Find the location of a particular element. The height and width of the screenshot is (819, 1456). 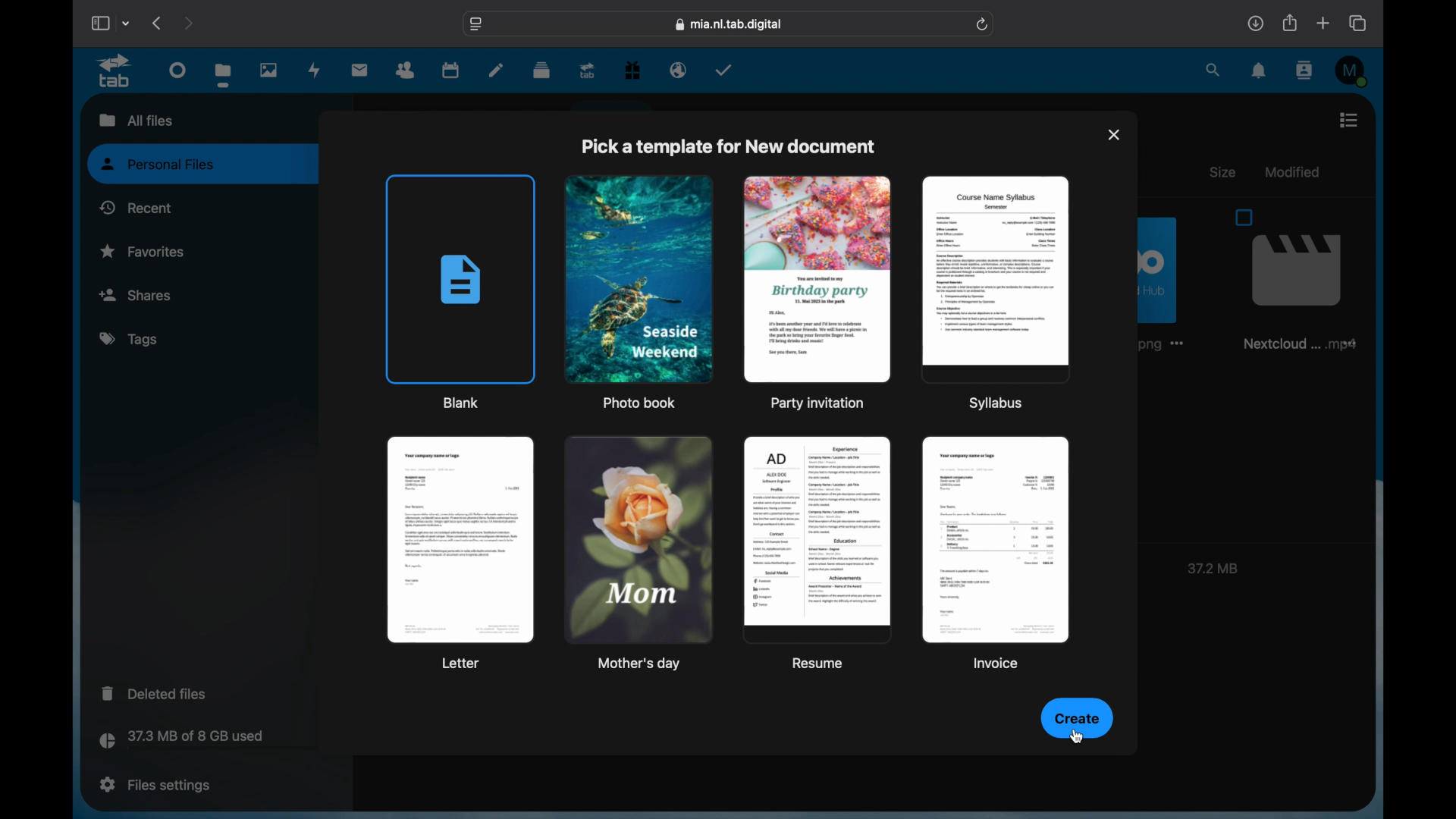

tab is located at coordinates (118, 71).